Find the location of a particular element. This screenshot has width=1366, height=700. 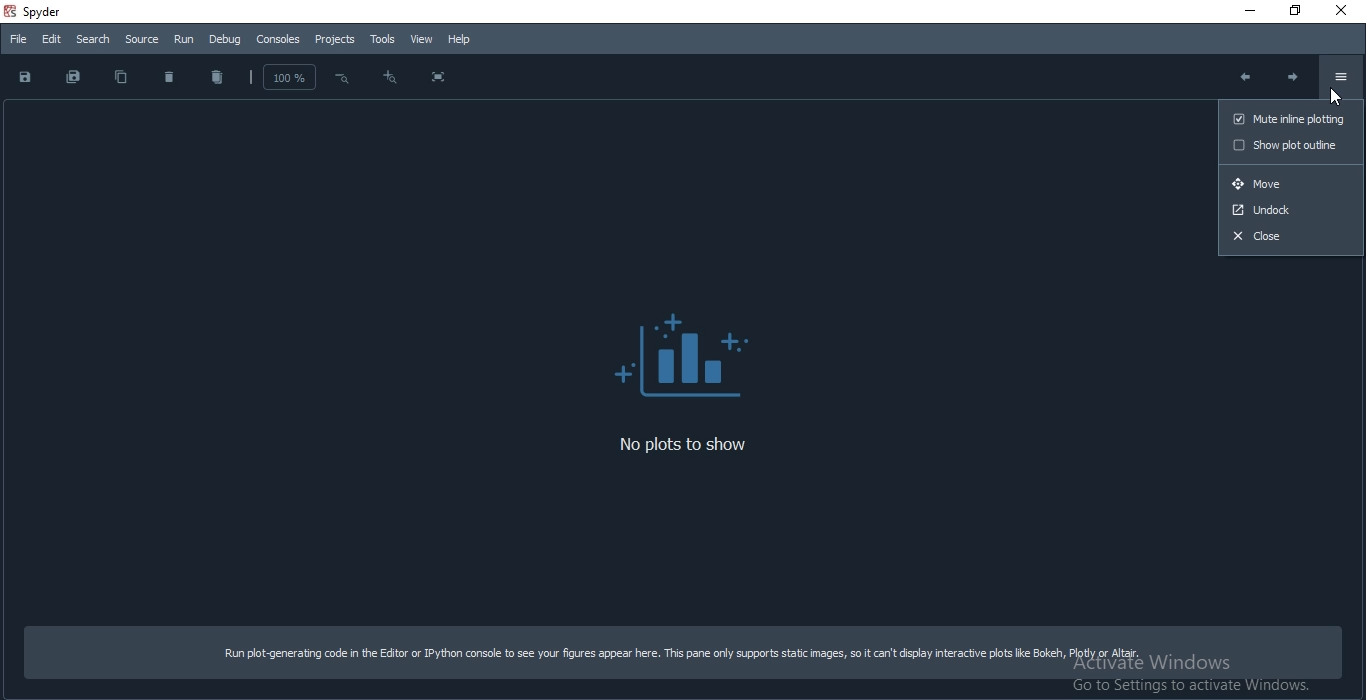

activate windows. Go to Settings to activate Windows. is located at coordinates (1187, 677).